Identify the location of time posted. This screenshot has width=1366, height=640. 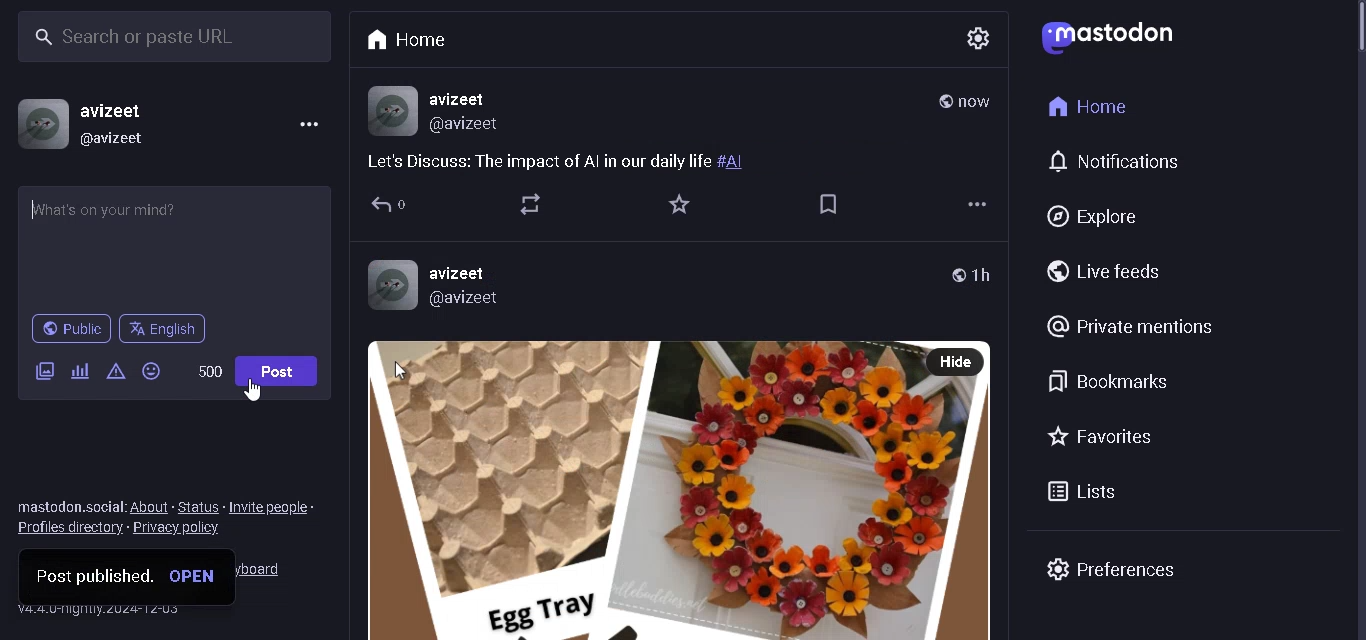
(993, 275).